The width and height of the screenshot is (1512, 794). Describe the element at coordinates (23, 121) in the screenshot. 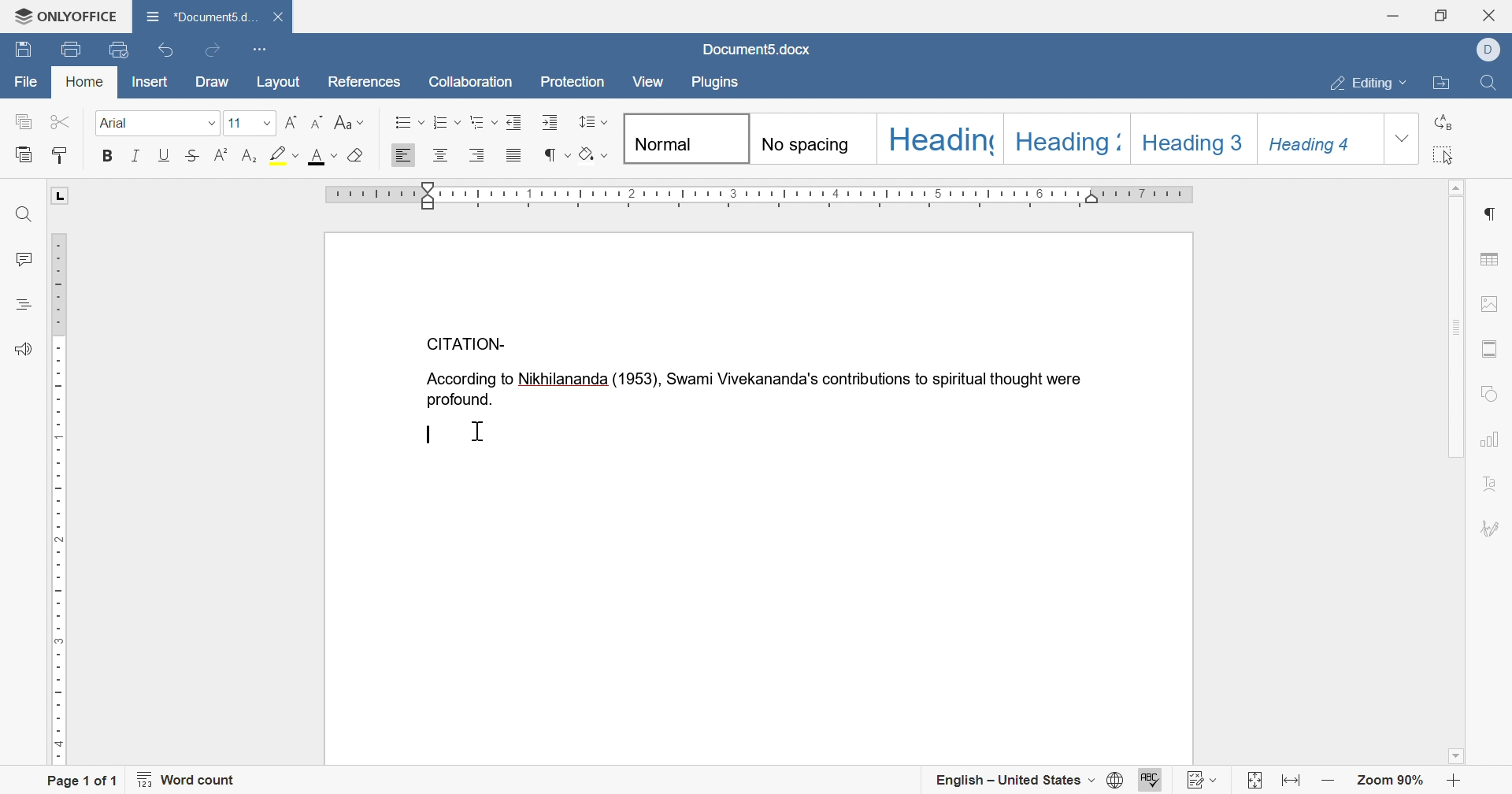

I see `copy` at that location.